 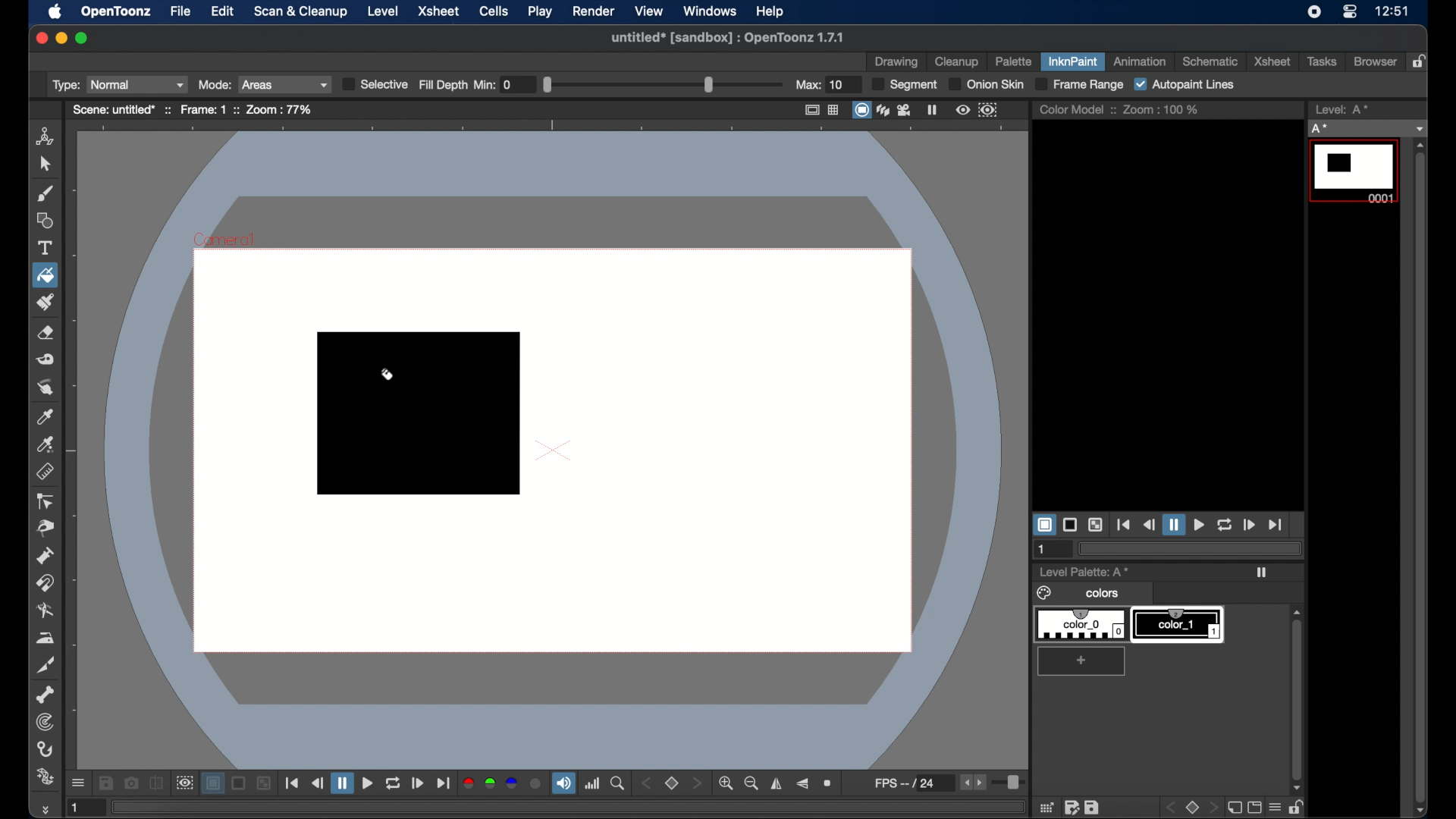 What do you see at coordinates (1224, 525) in the screenshot?
I see `loop` at bounding box center [1224, 525].